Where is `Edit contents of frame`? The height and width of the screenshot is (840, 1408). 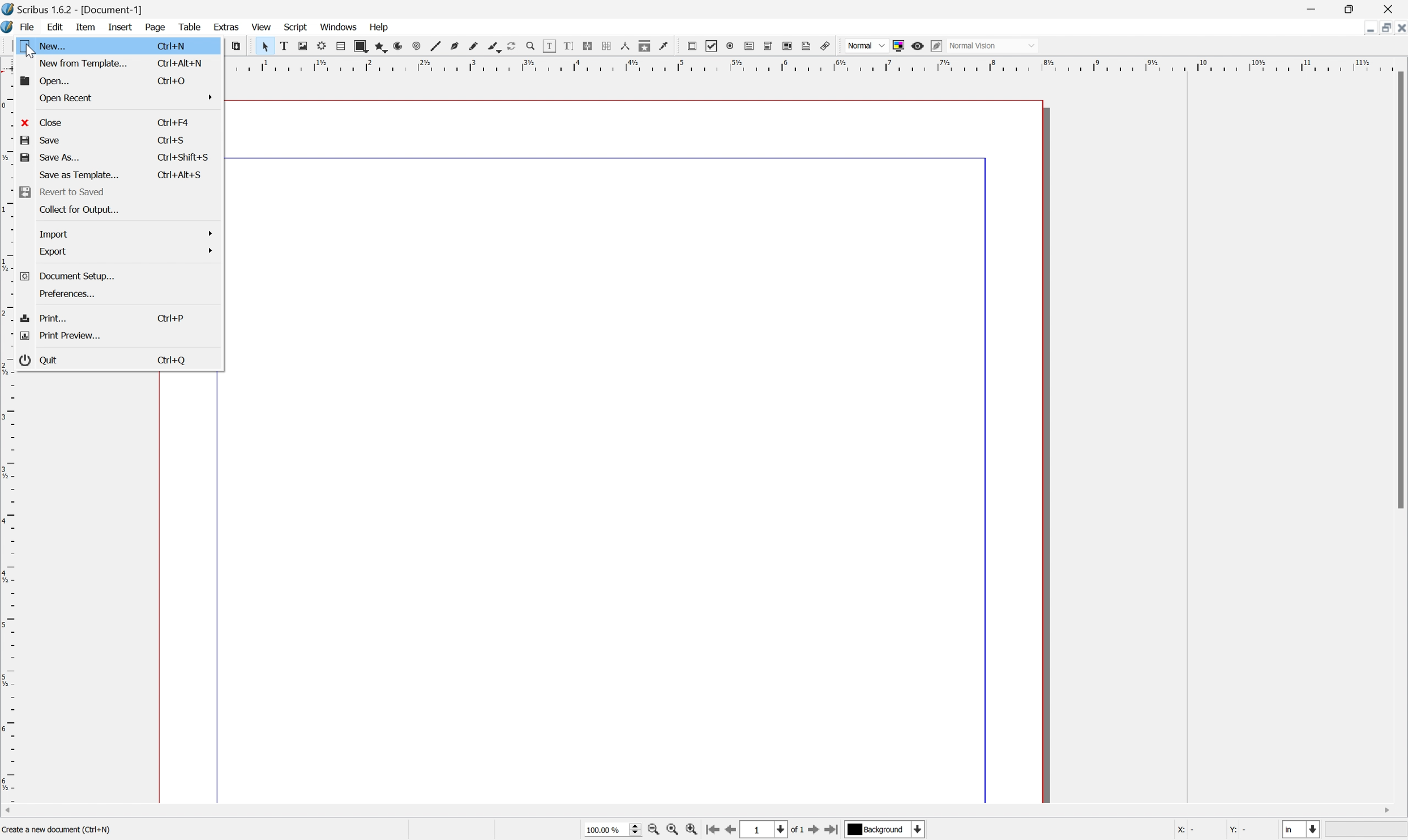 Edit contents of frame is located at coordinates (549, 45).